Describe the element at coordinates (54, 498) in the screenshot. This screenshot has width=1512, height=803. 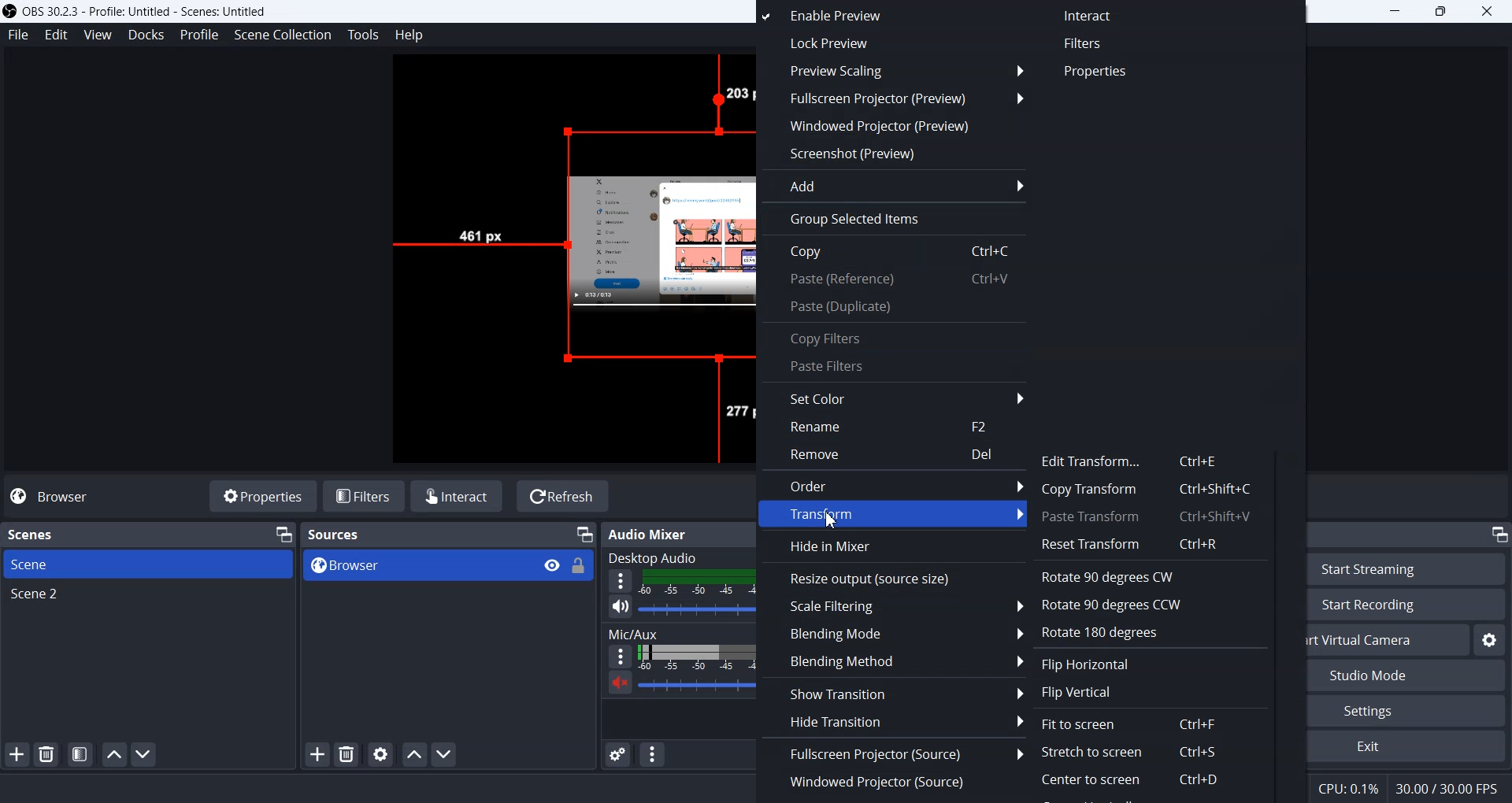
I see `Browser` at that location.